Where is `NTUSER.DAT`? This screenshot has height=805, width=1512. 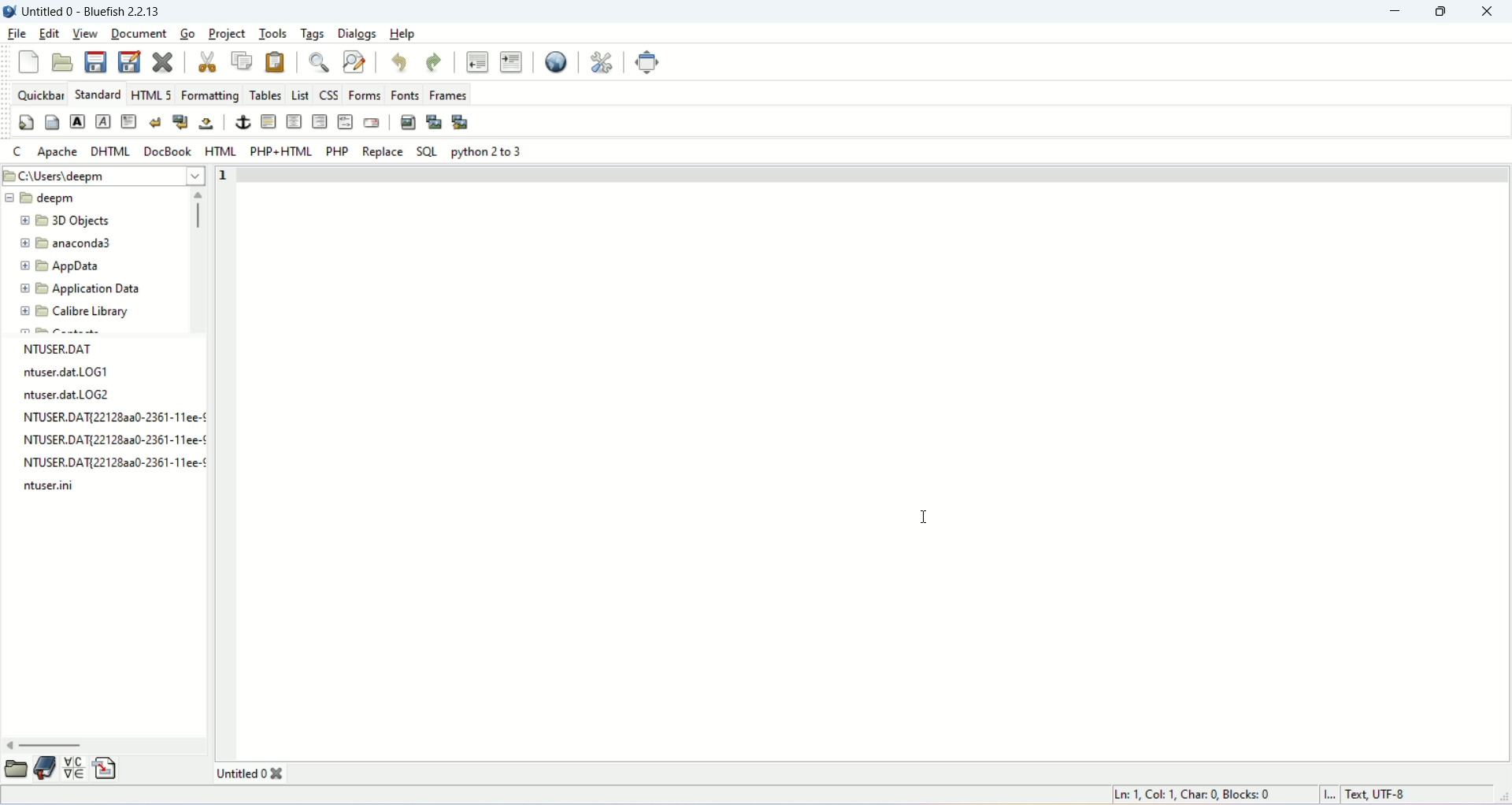
NTUSER.DAT is located at coordinates (57, 348).